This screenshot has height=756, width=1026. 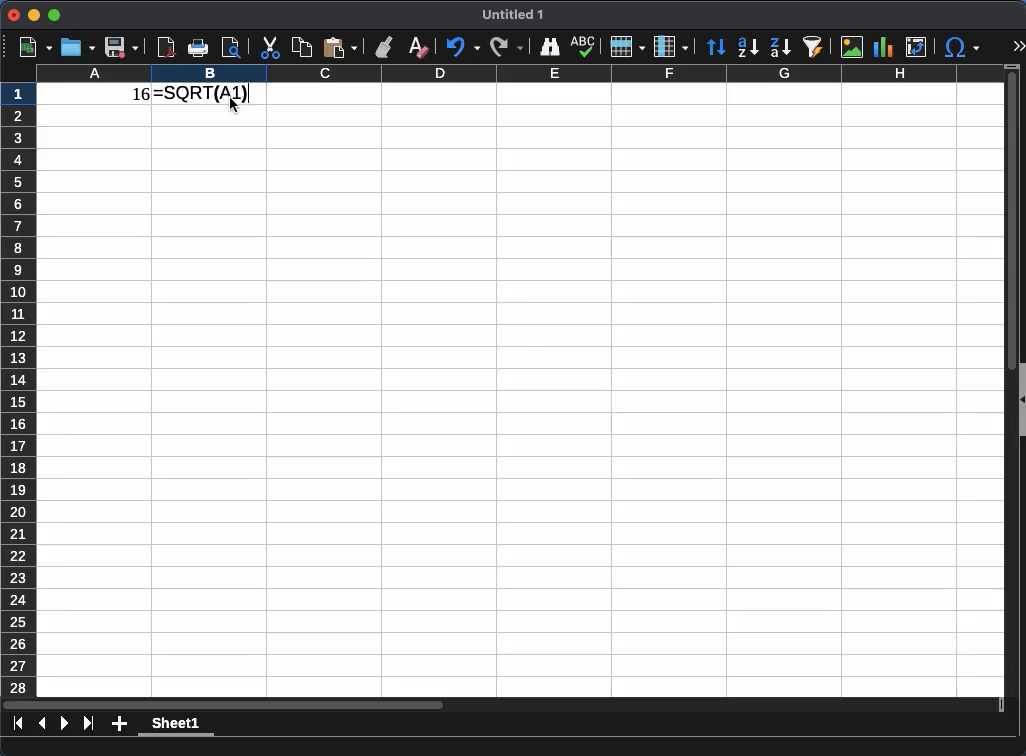 I want to click on collapse, so click(x=1020, y=401).